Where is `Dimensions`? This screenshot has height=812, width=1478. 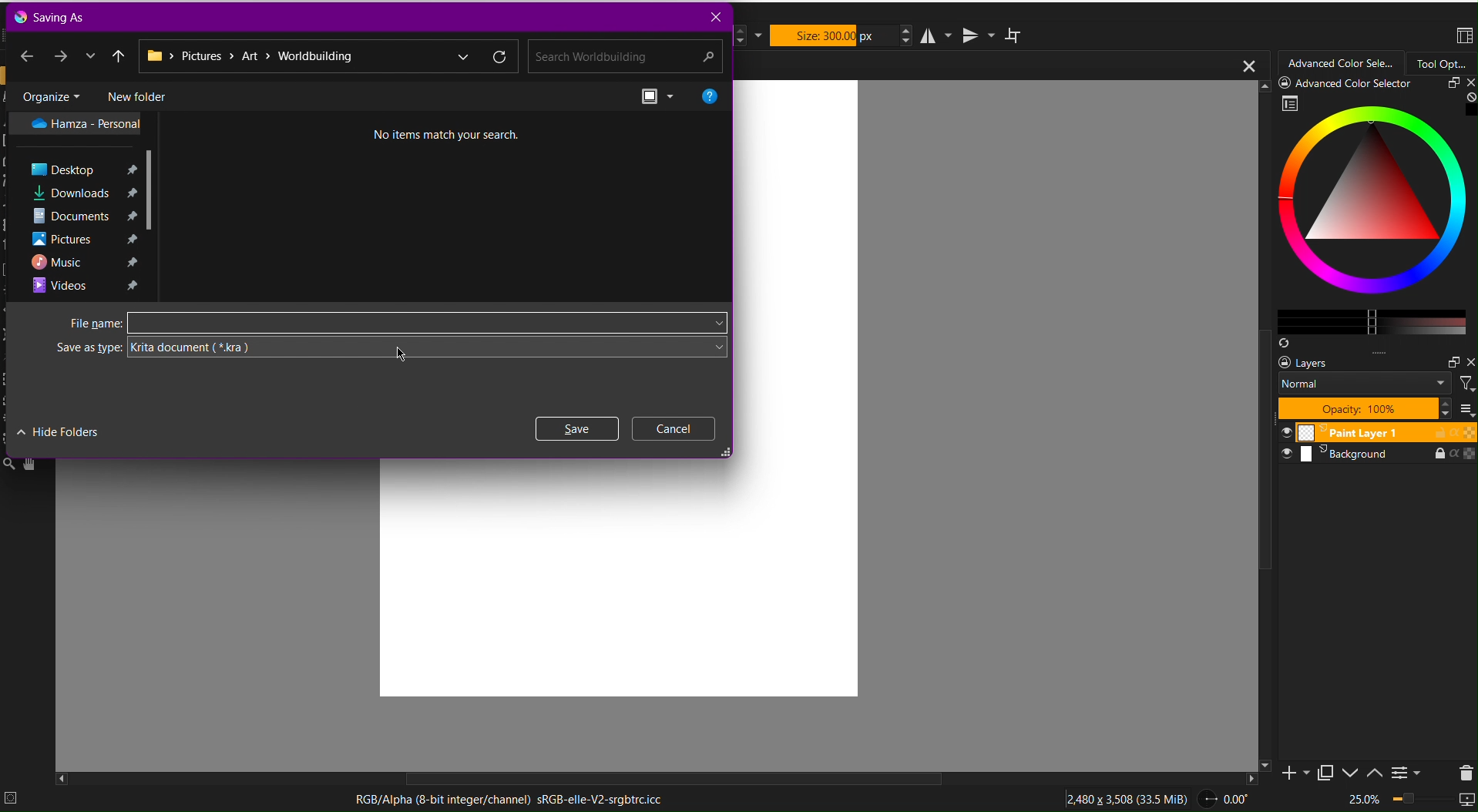
Dimensions is located at coordinates (1130, 797).